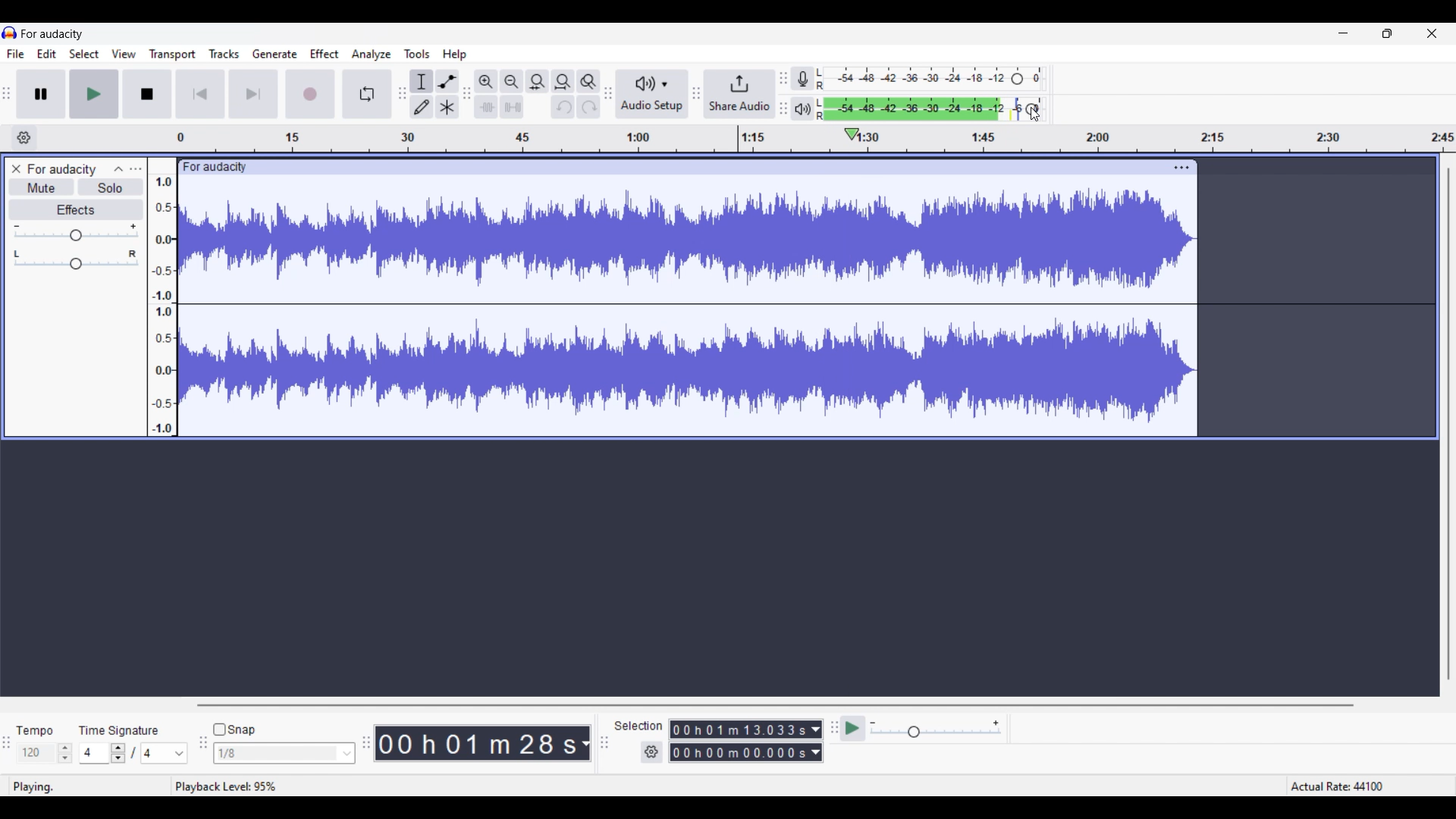 The image size is (1456, 819). What do you see at coordinates (447, 82) in the screenshot?
I see `Envelop tool` at bounding box center [447, 82].